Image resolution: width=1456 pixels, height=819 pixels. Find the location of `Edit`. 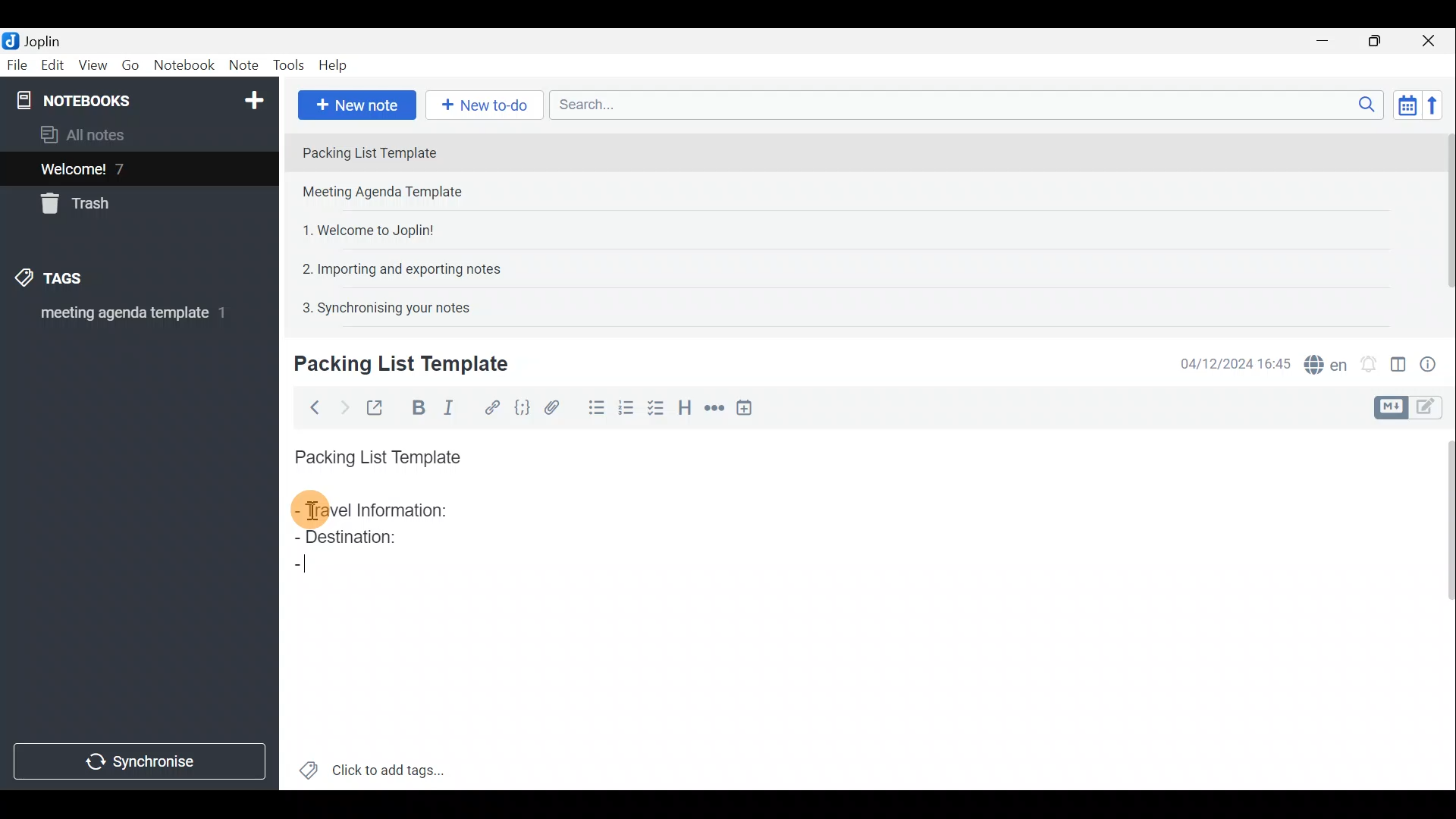

Edit is located at coordinates (49, 66).